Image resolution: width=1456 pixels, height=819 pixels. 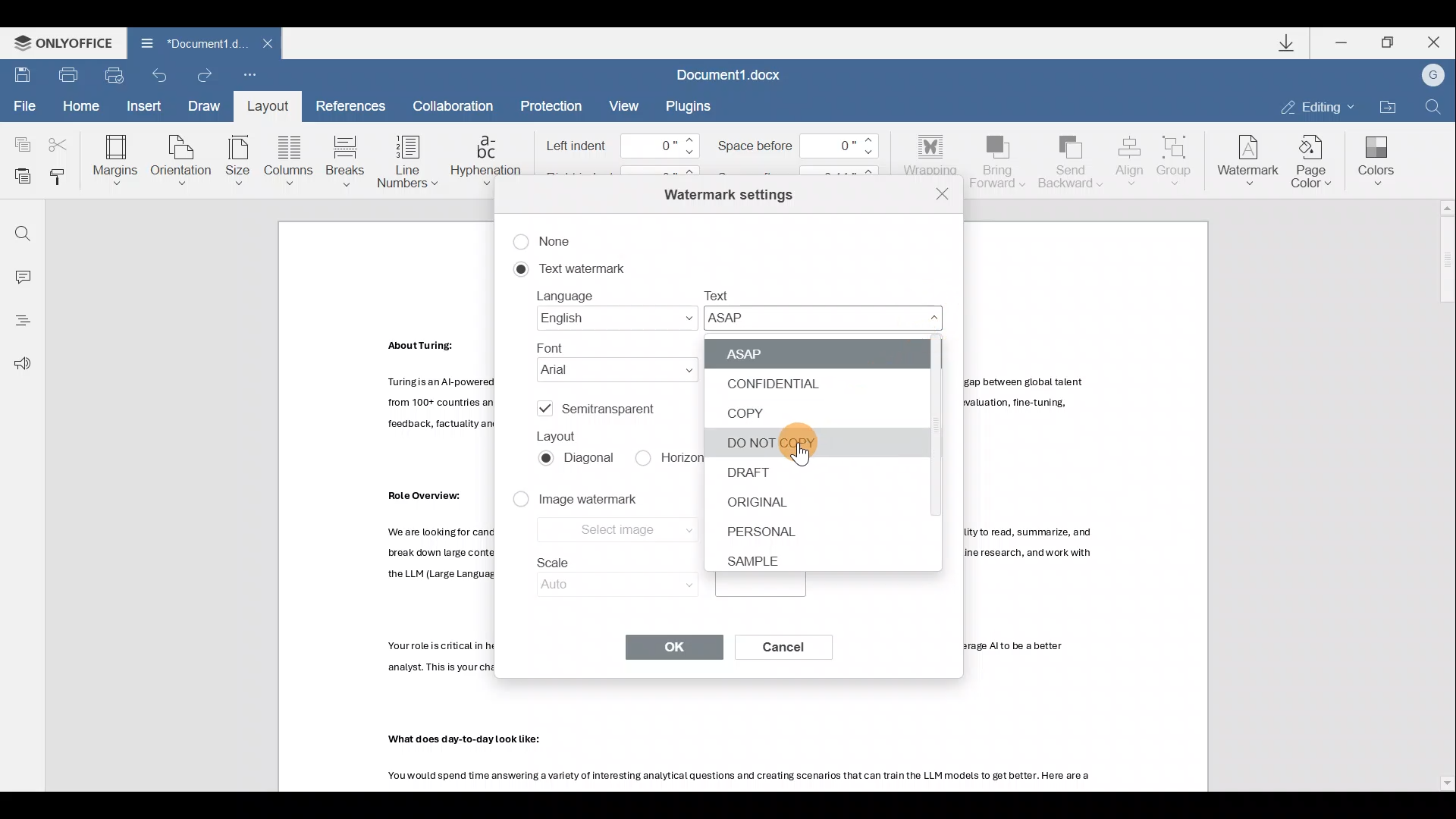 What do you see at coordinates (1432, 74) in the screenshot?
I see `Account name` at bounding box center [1432, 74].